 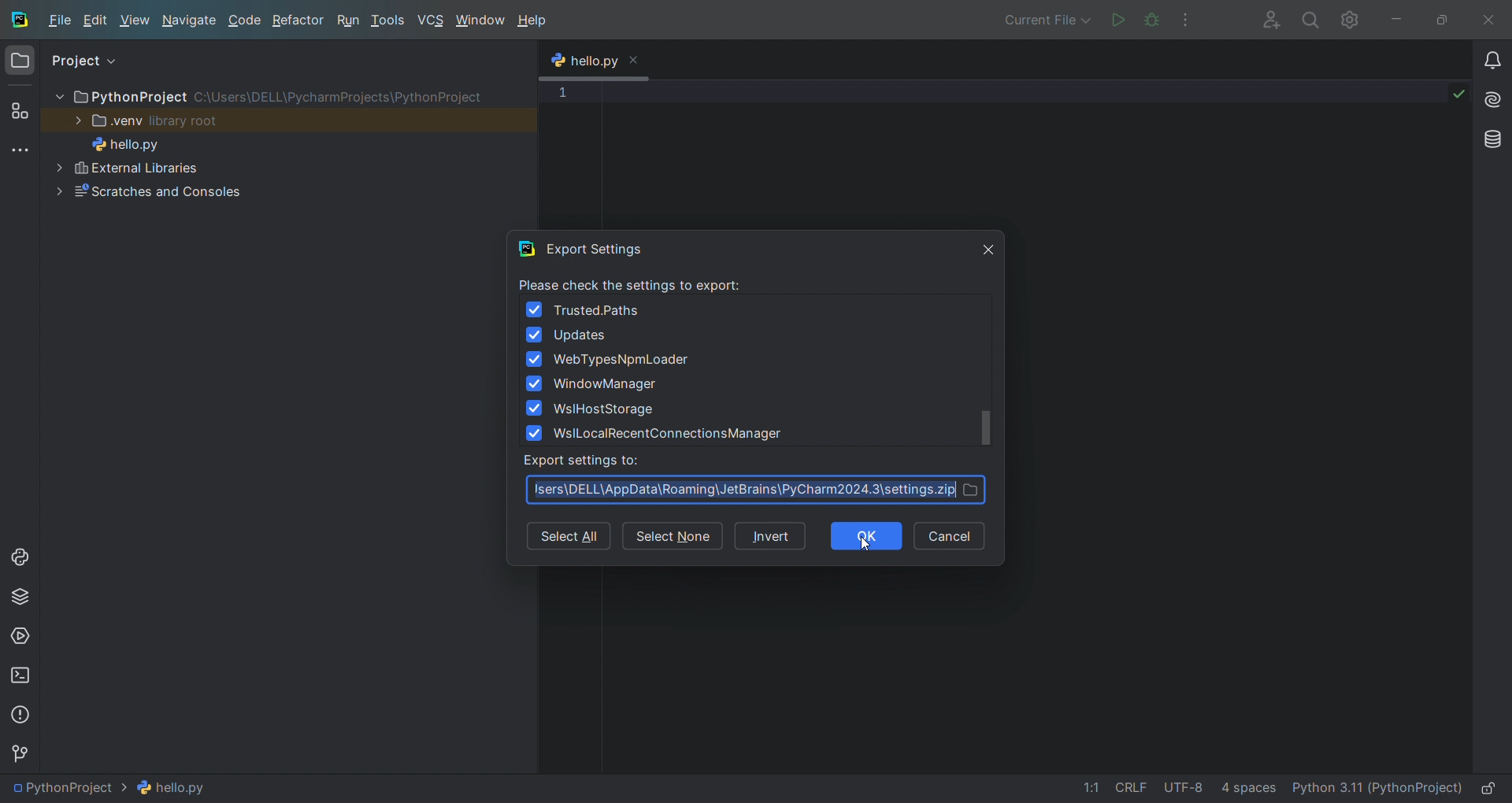 I want to click on Export settings to:, so click(x=586, y=461).